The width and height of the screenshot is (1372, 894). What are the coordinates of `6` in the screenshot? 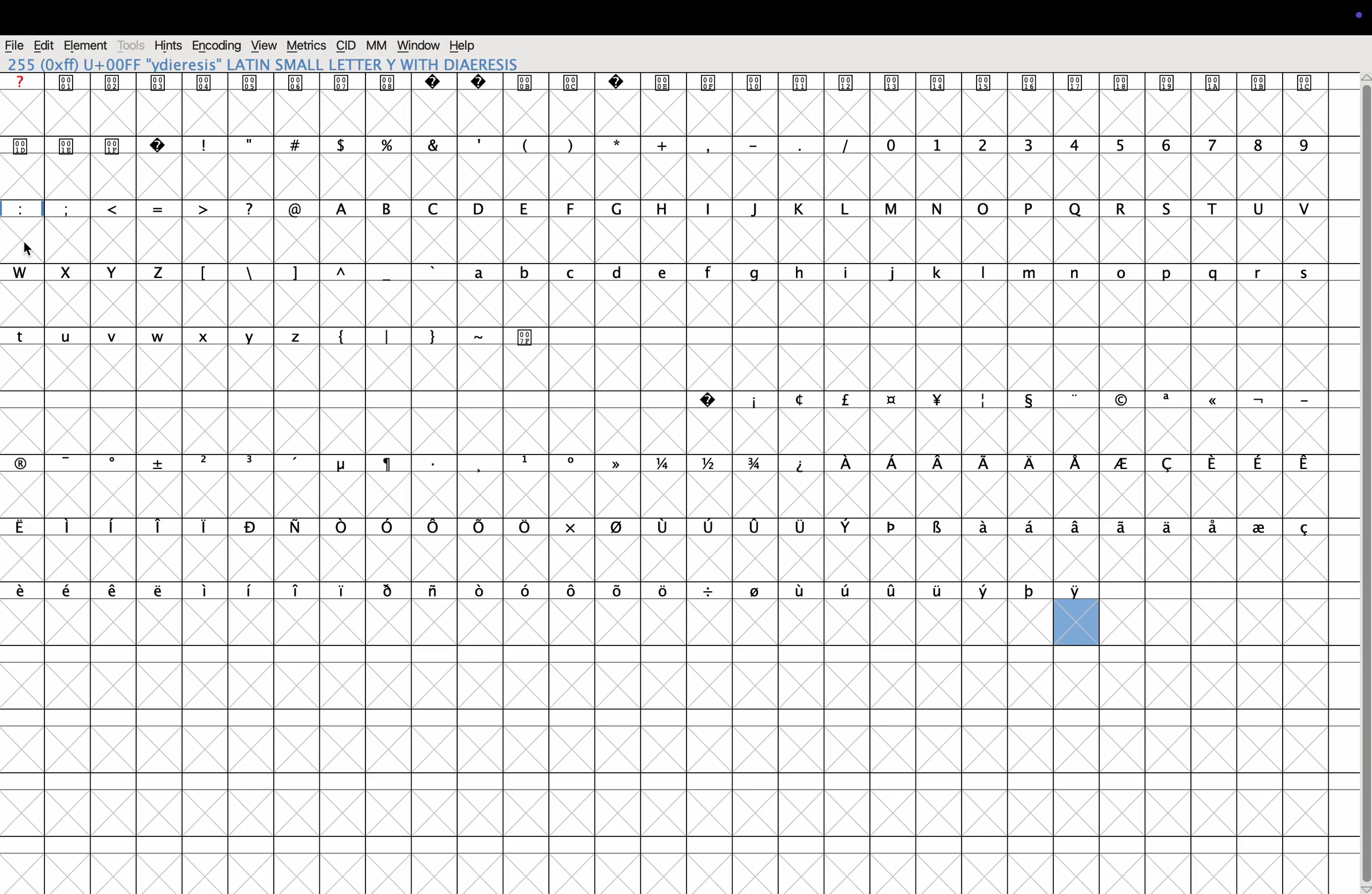 It's located at (1163, 166).